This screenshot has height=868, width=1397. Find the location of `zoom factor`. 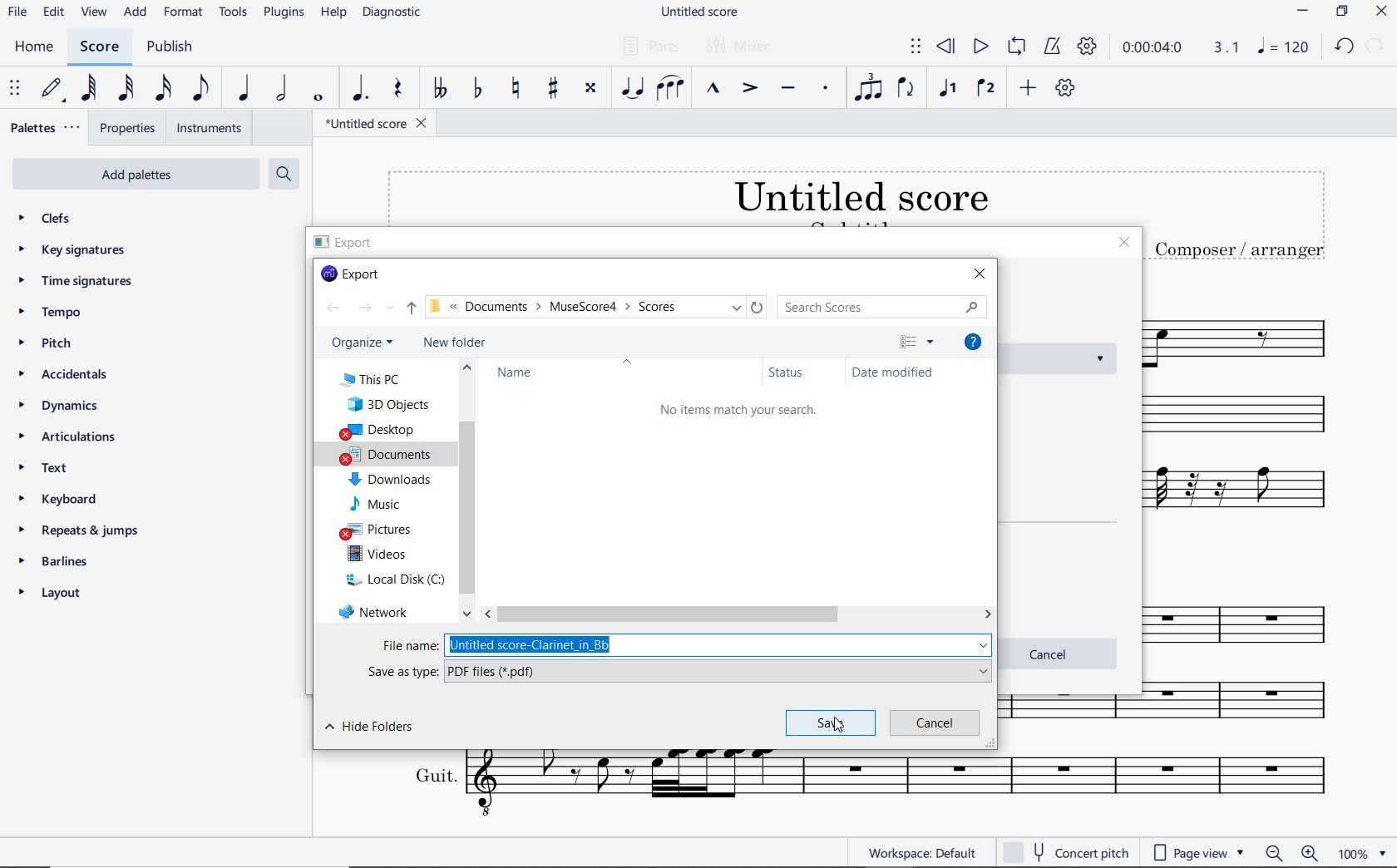

zoom factor is located at coordinates (1360, 851).